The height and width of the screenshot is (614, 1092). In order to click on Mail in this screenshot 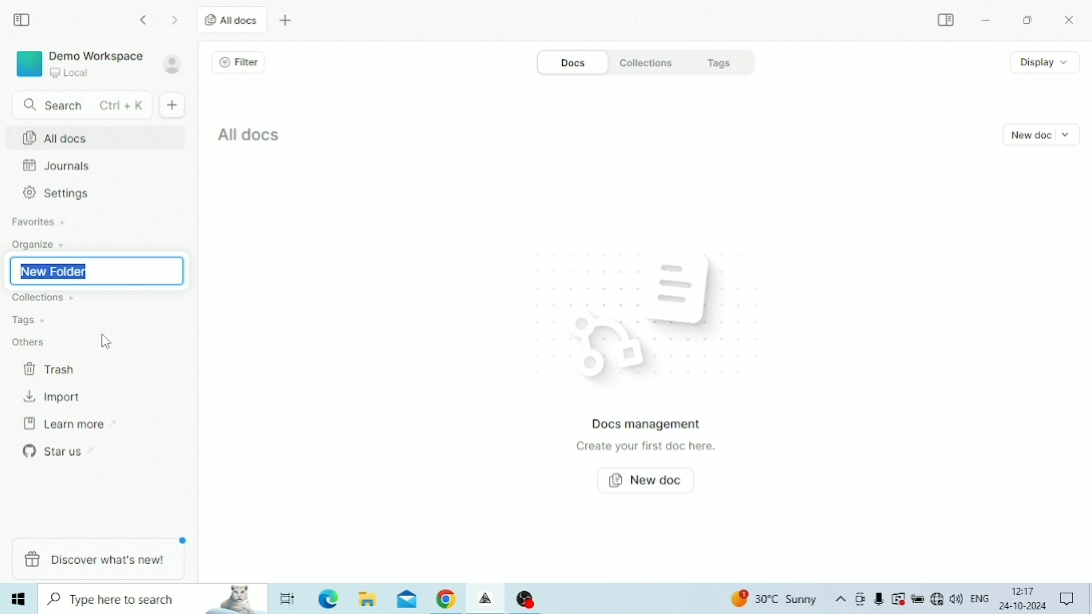, I will do `click(407, 600)`.